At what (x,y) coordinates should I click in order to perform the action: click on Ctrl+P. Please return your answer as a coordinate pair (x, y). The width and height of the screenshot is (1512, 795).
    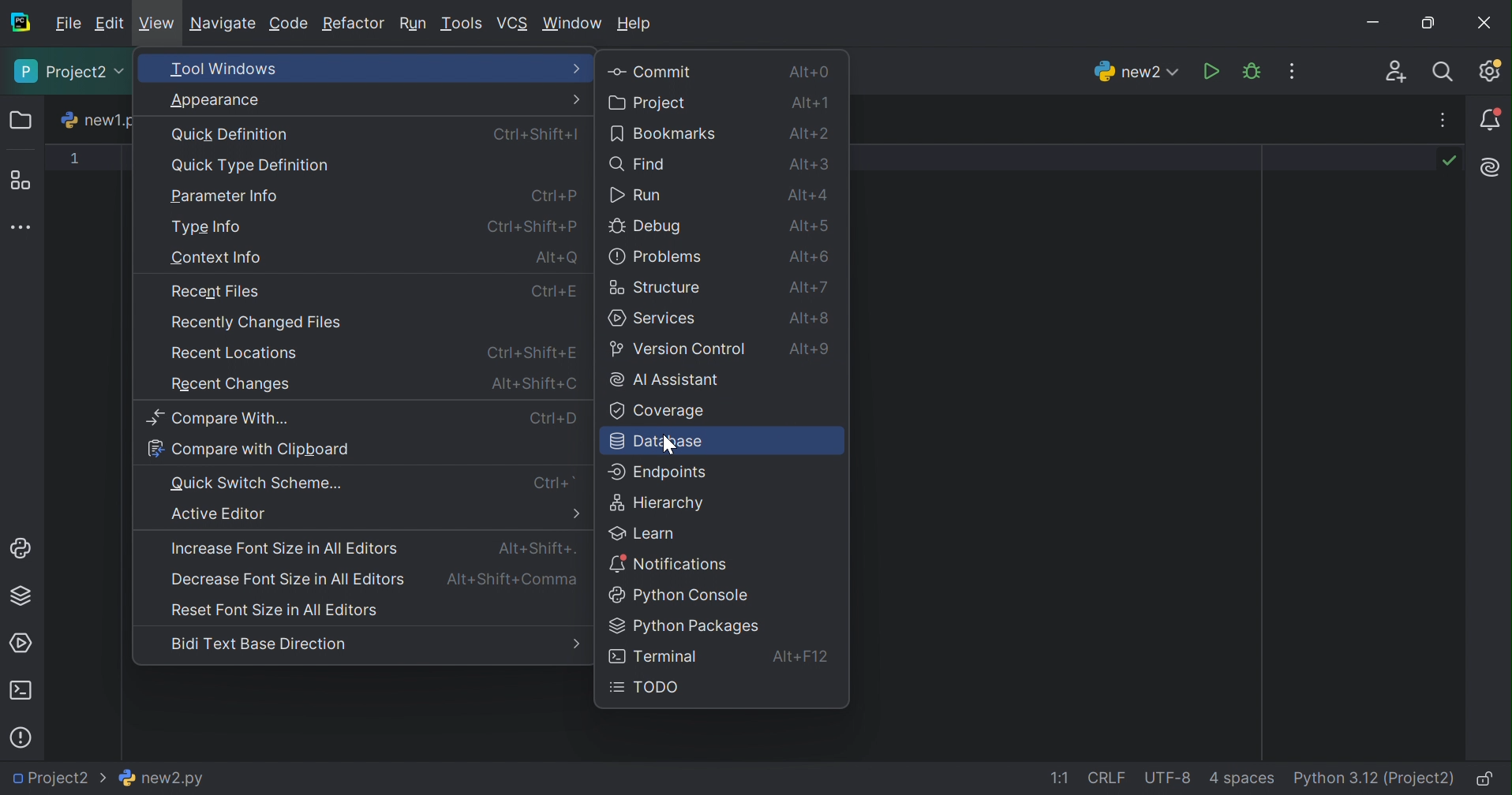
    Looking at the image, I should click on (555, 291).